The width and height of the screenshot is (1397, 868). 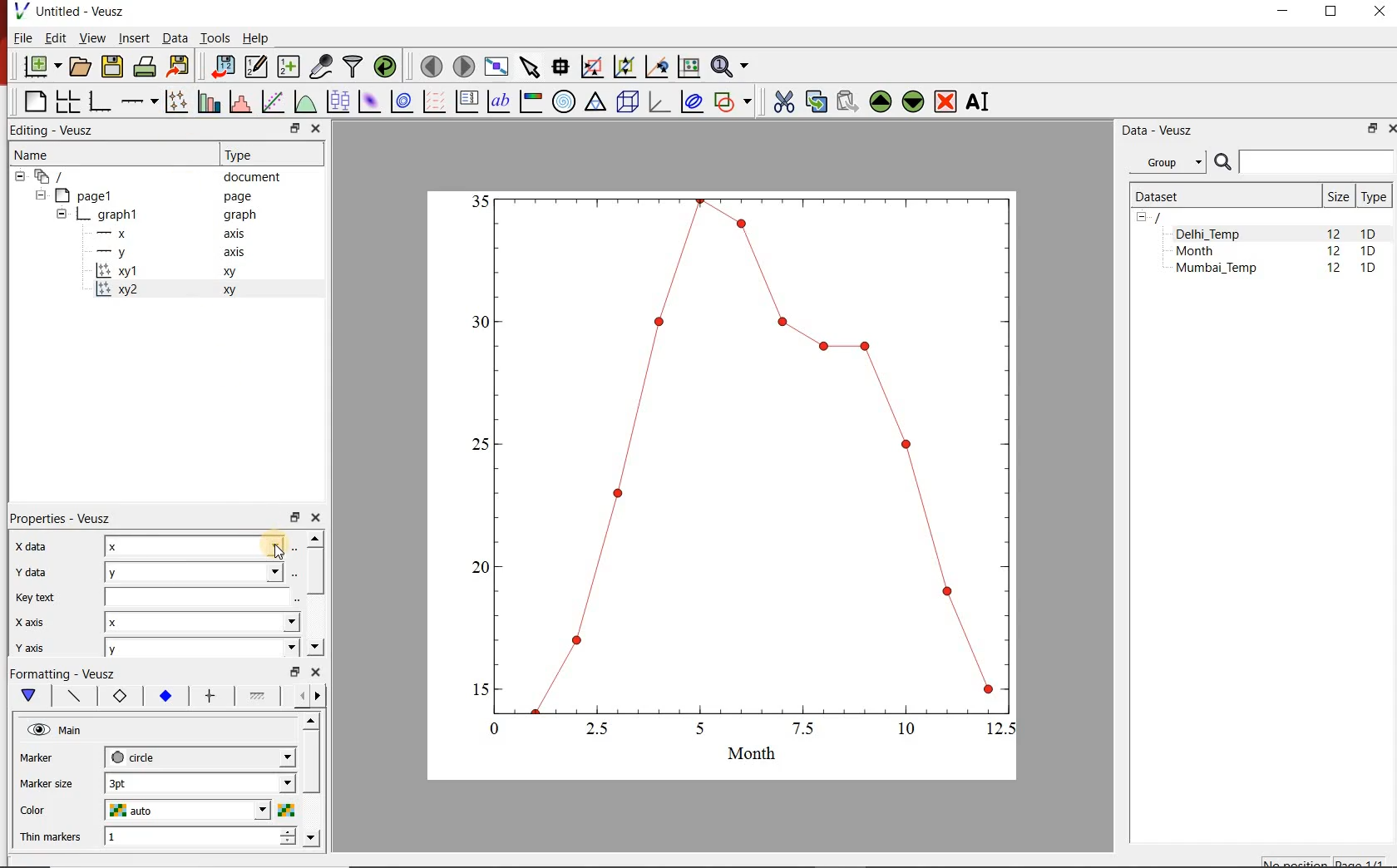 I want to click on plot a function, so click(x=305, y=101).